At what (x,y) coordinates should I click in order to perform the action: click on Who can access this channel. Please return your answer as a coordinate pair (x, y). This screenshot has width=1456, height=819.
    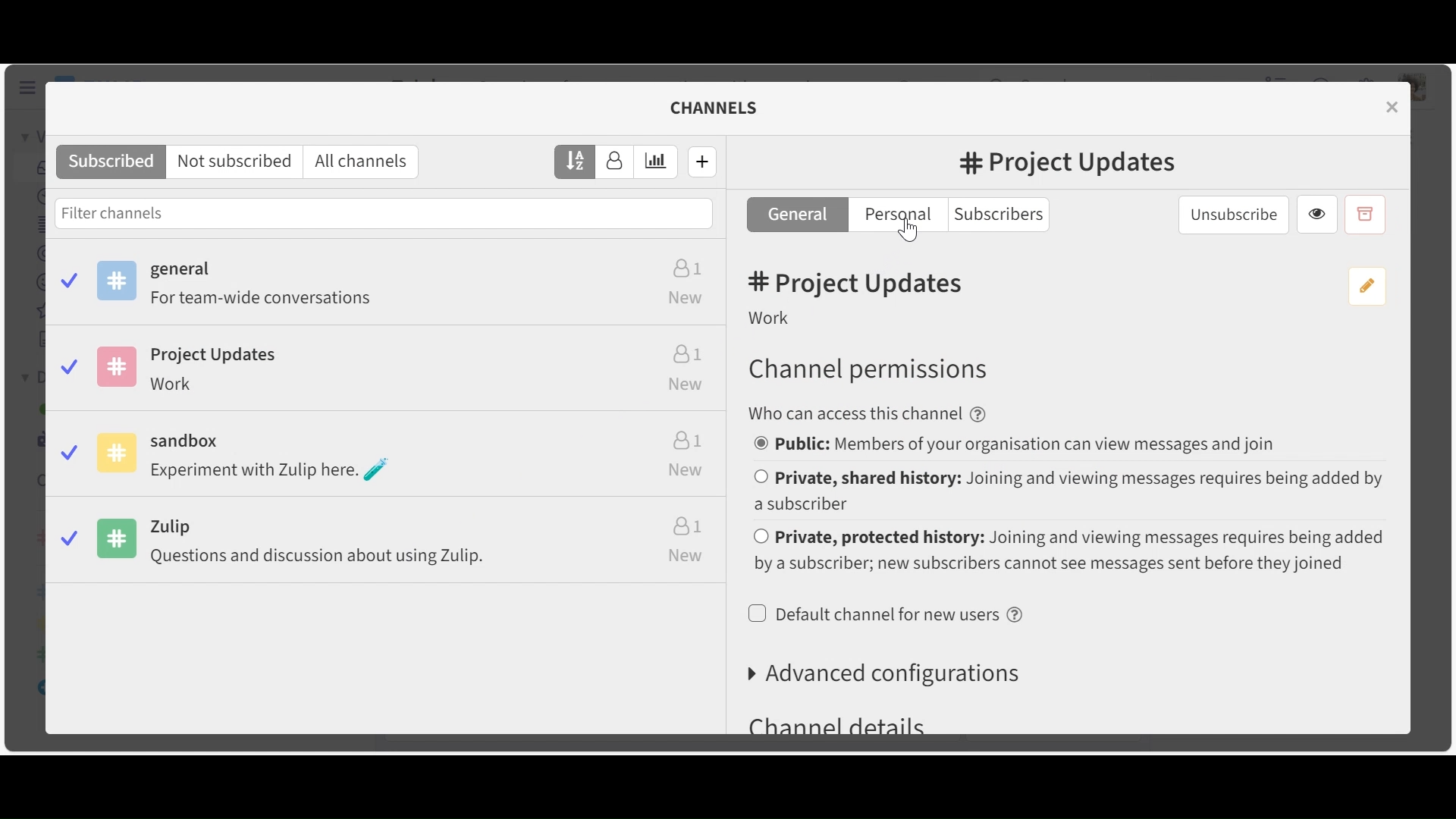
    Looking at the image, I should click on (870, 413).